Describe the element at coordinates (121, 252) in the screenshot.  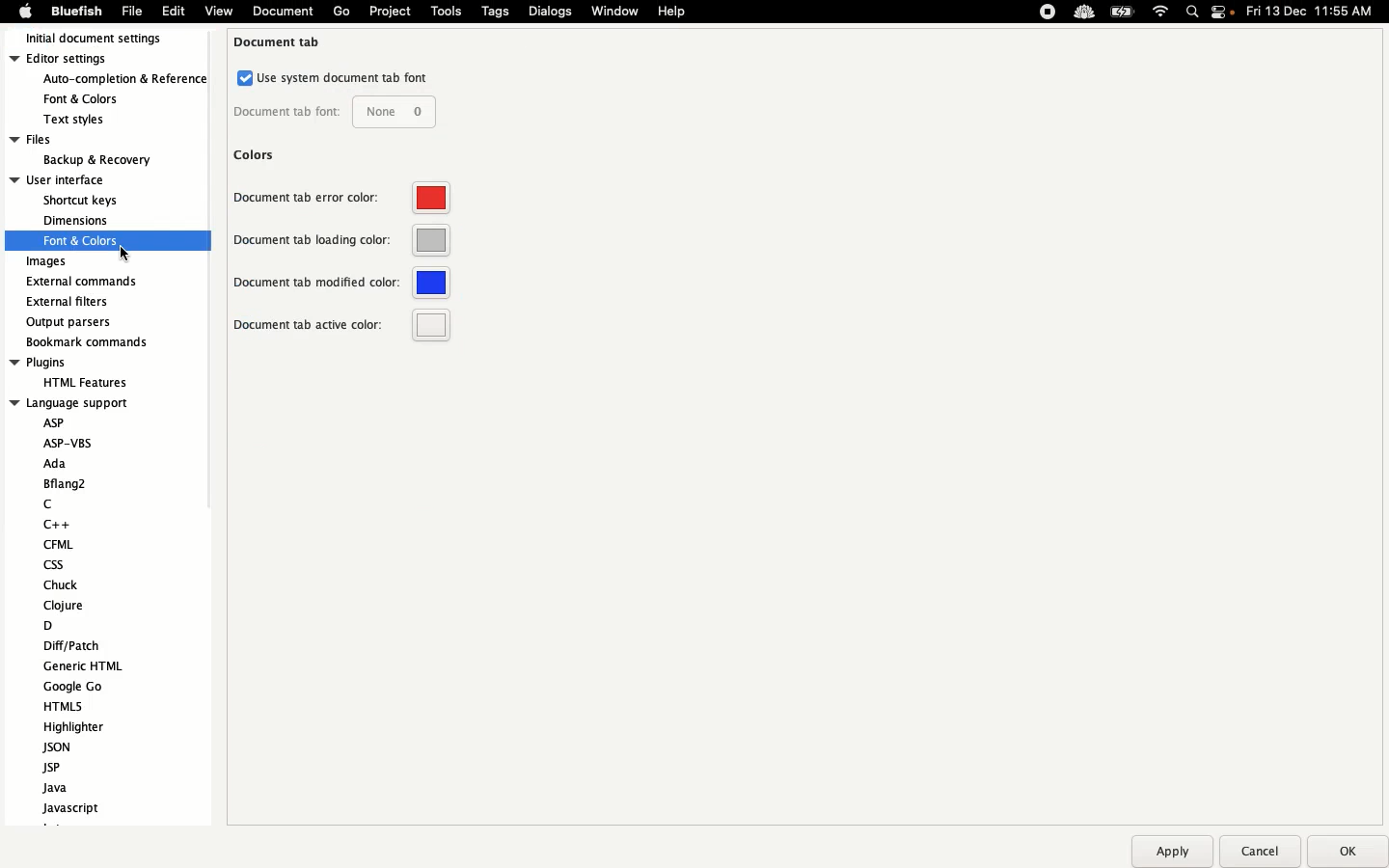
I see `cursor` at that location.